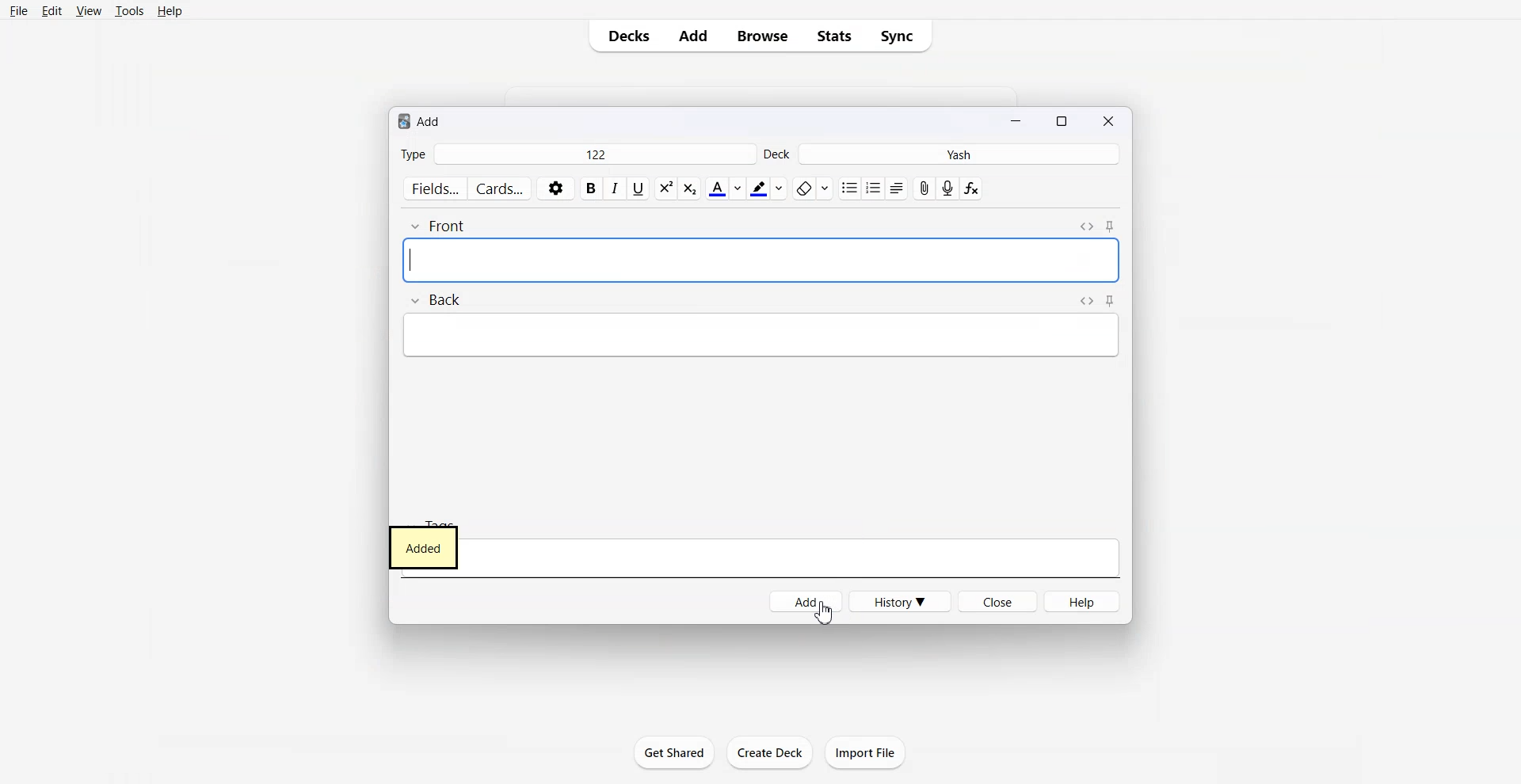 The height and width of the screenshot is (784, 1521). I want to click on create Deck, so click(770, 752).